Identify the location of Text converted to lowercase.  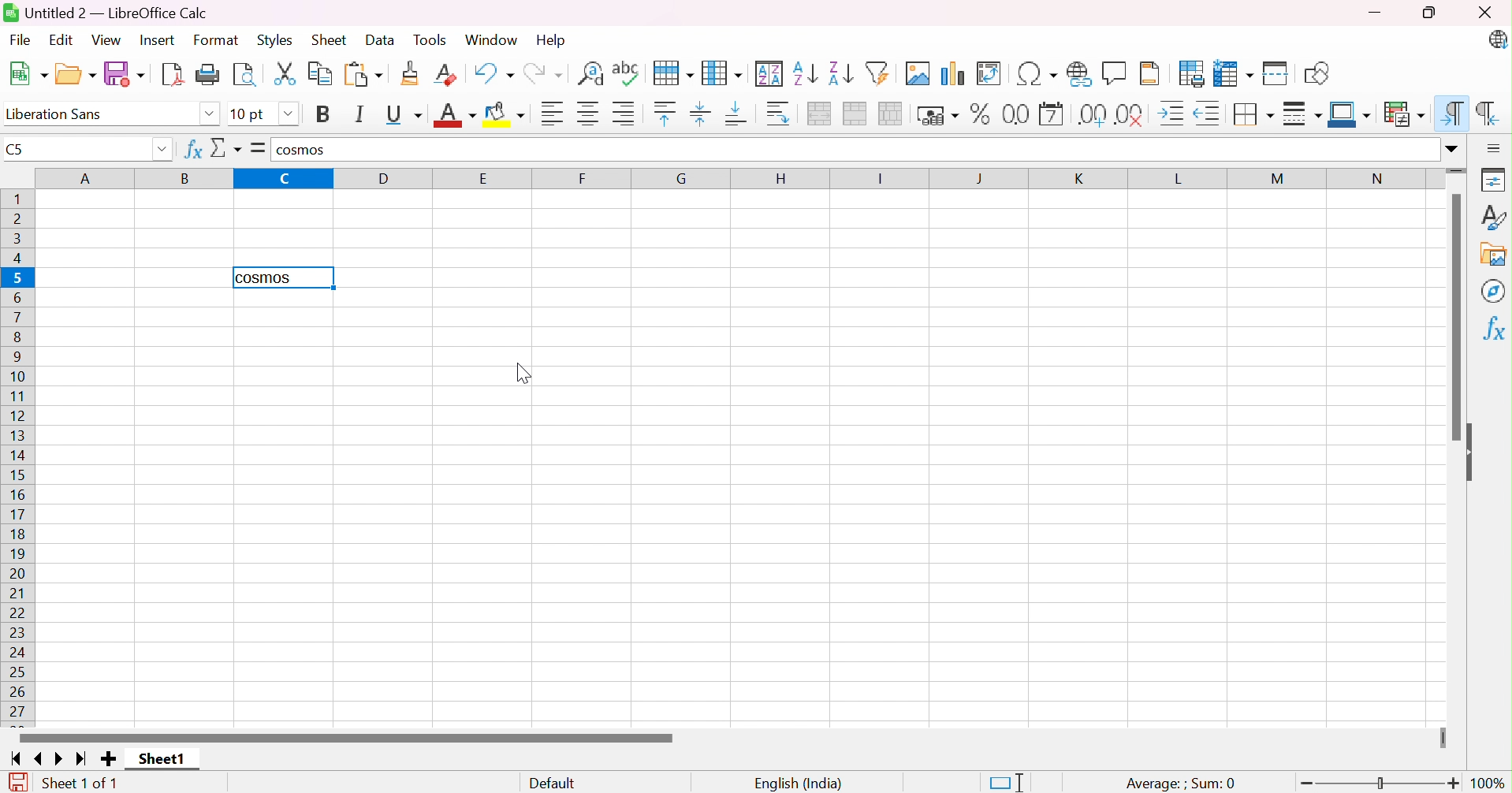
(268, 277).